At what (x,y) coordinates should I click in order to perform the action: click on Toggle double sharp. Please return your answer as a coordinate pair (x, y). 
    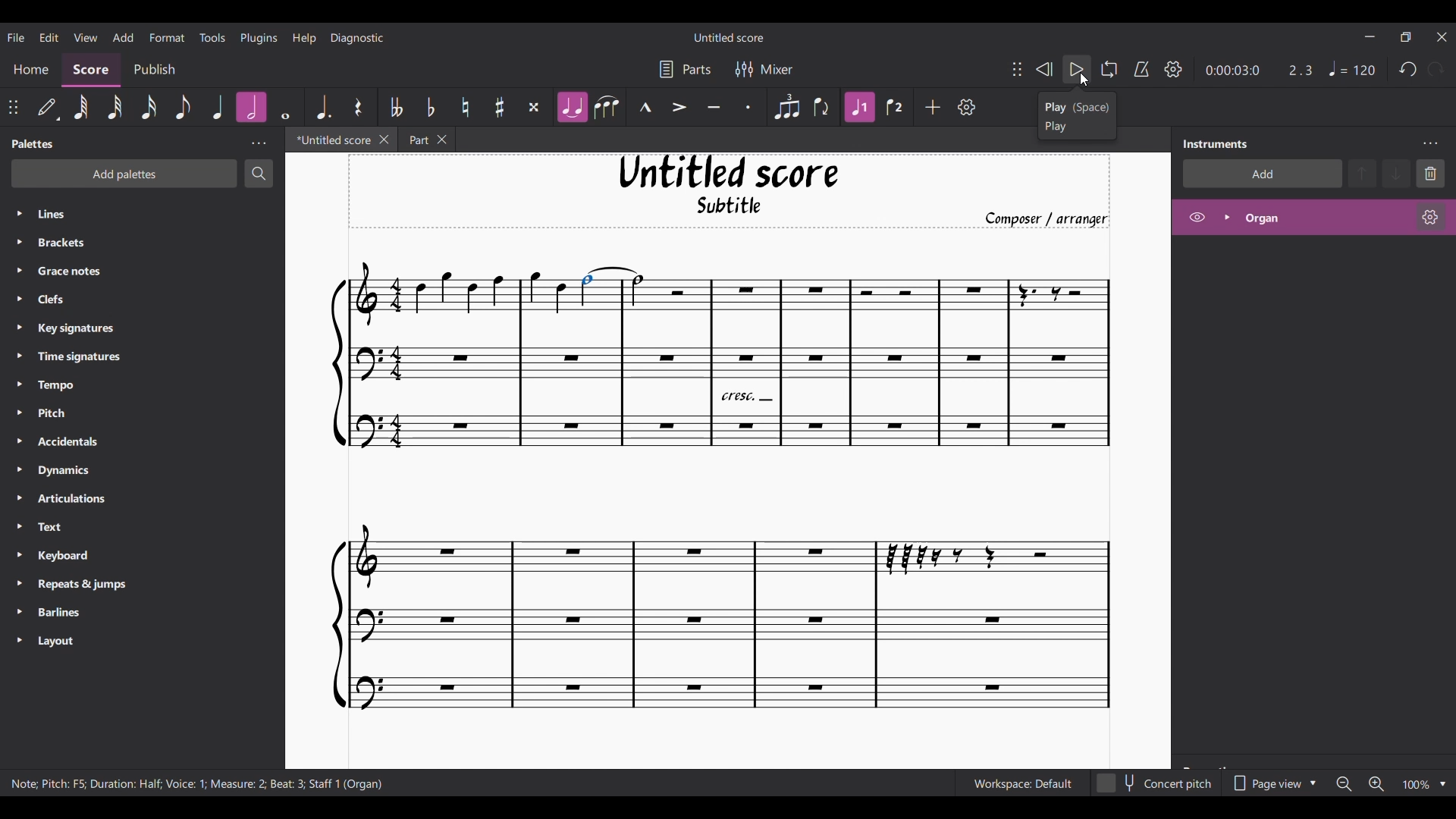
    Looking at the image, I should click on (534, 108).